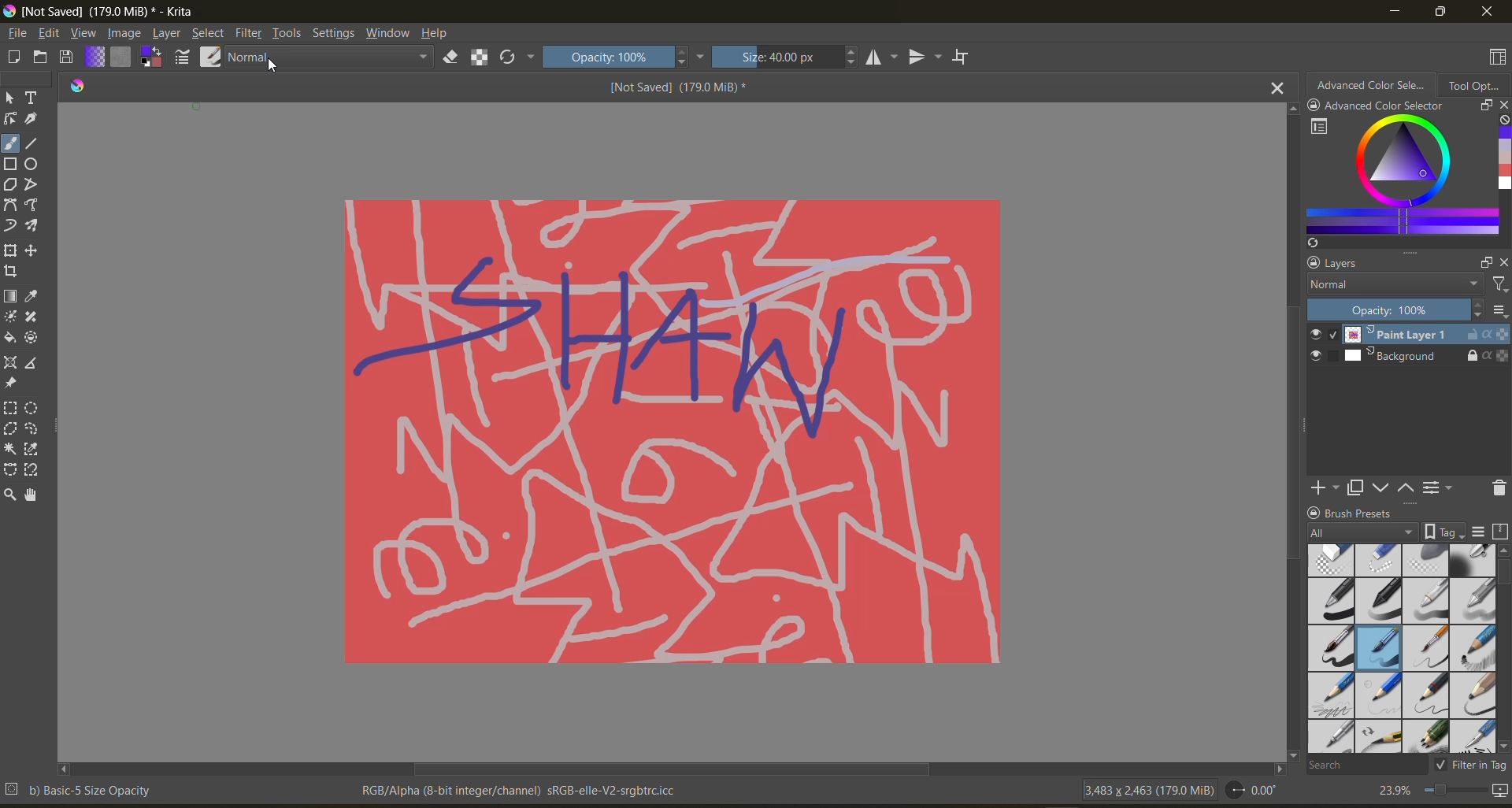  Describe the element at coordinates (1425, 334) in the screenshot. I see `Print Layer 1` at that location.